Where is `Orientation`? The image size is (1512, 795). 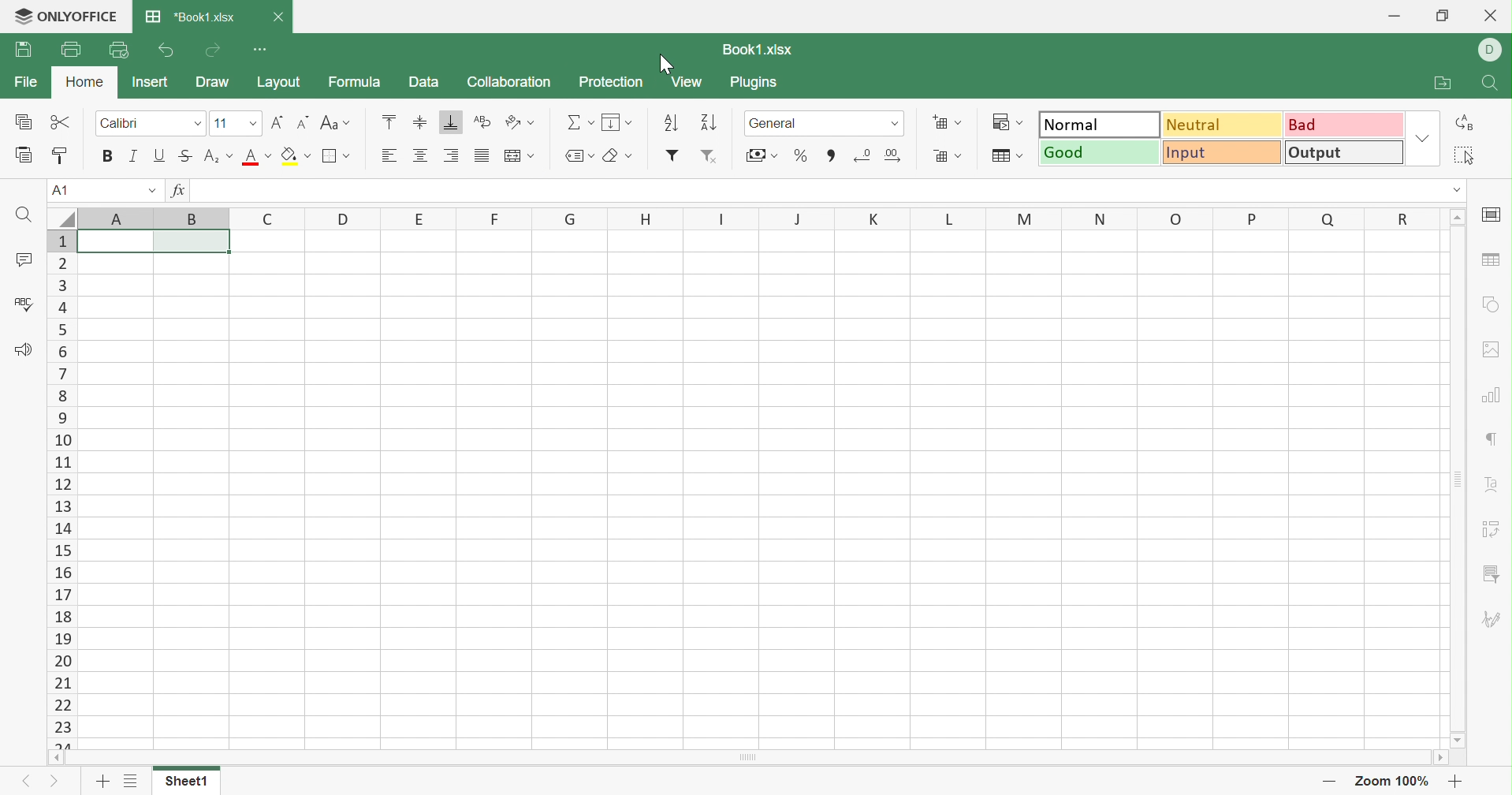
Orientation is located at coordinates (522, 122).